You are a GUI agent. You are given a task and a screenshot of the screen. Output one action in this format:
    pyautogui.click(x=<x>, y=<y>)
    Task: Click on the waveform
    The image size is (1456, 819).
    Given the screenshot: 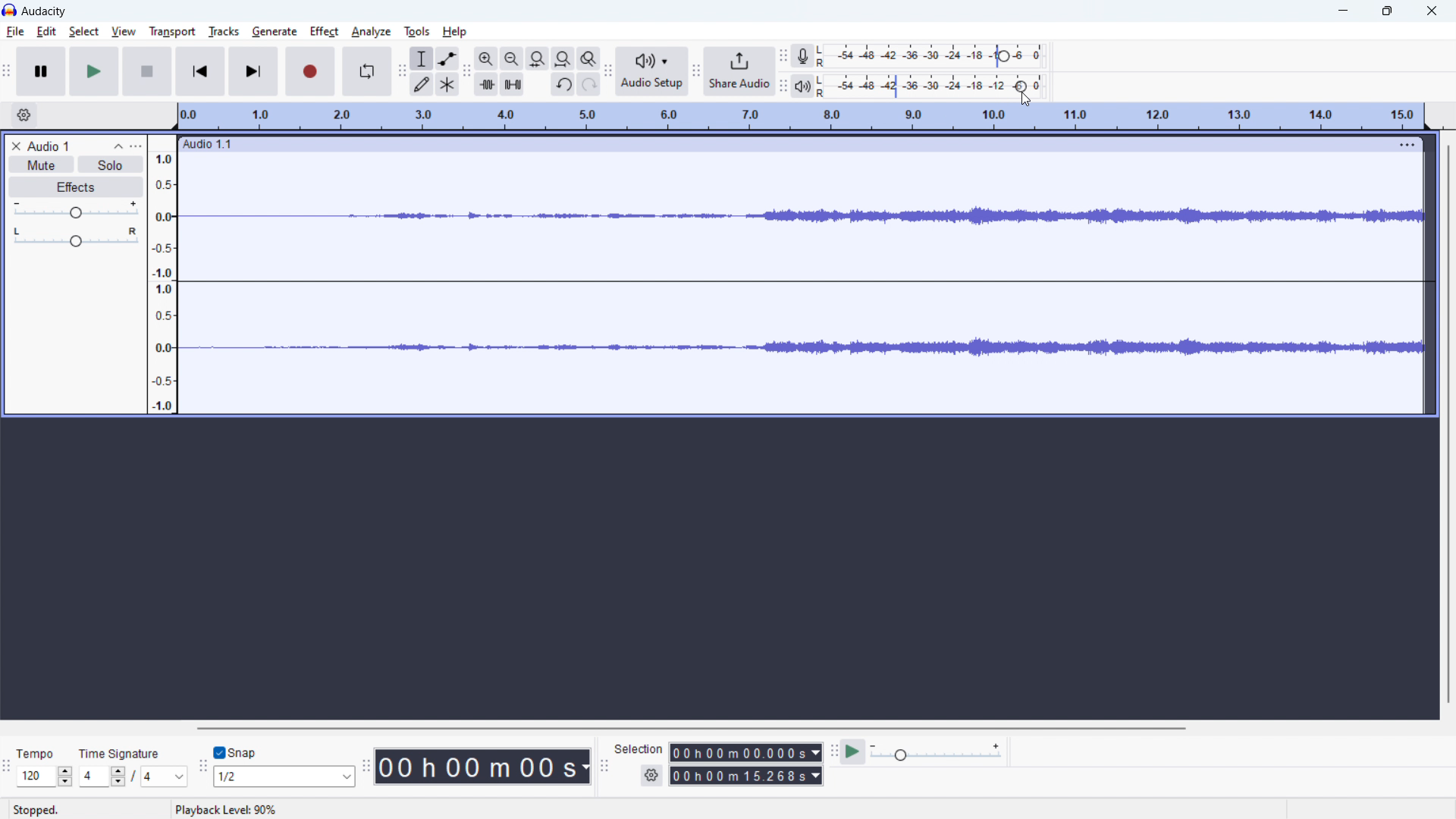 What is the action you would take?
    pyautogui.click(x=802, y=217)
    